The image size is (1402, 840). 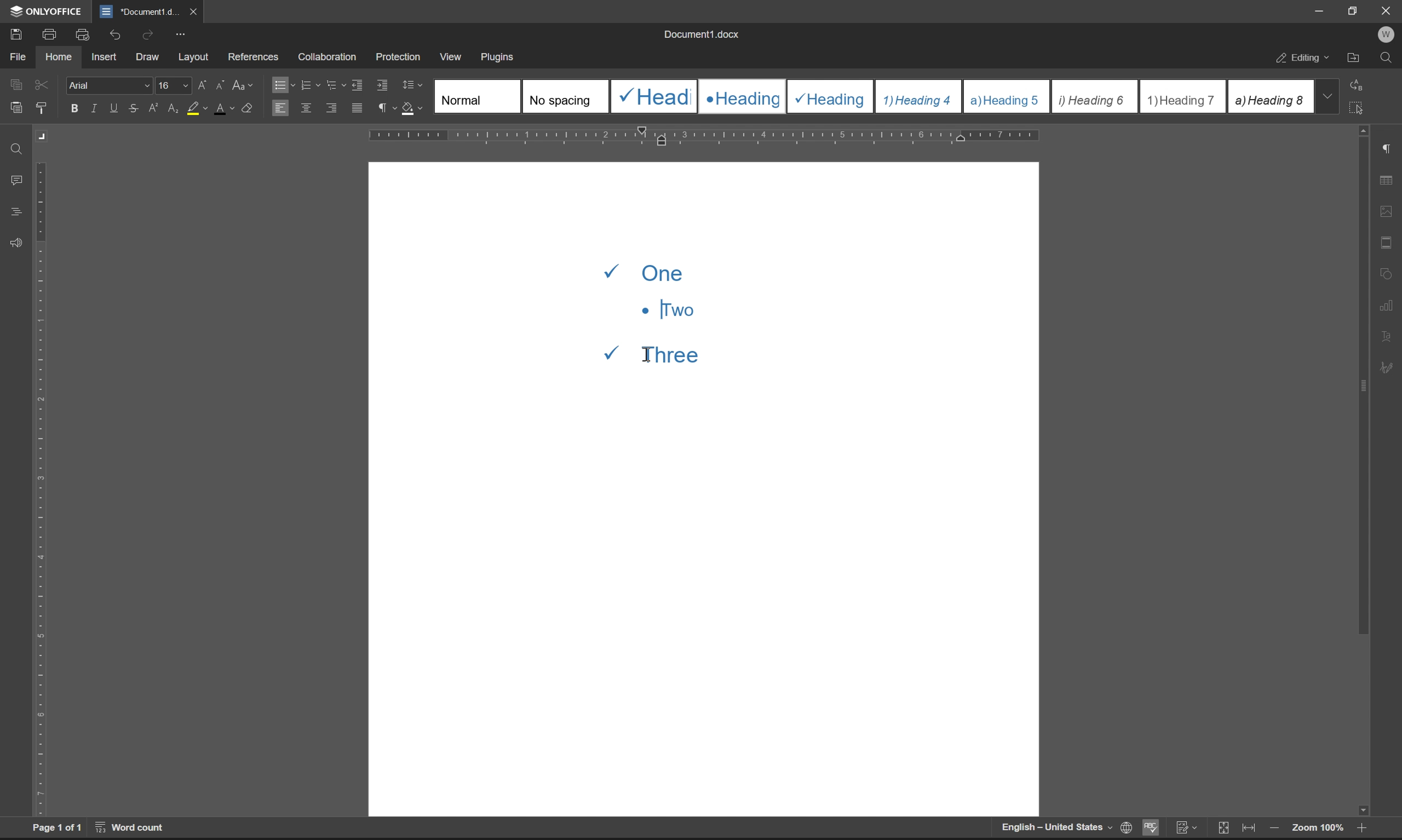 I want to click on customize quick access toolbar, so click(x=180, y=35).